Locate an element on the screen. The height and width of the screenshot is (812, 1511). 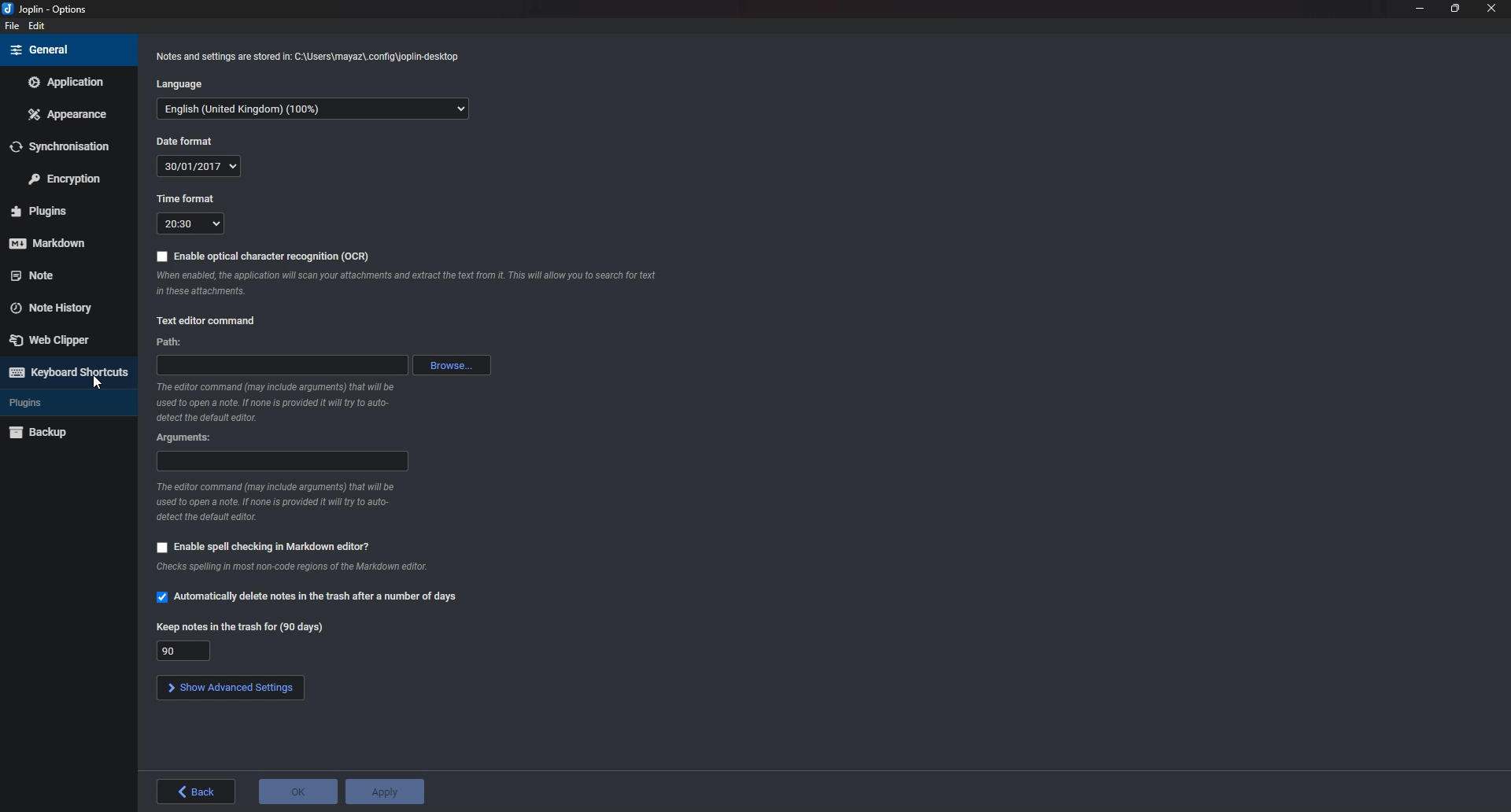
Application is located at coordinates (65, 82).